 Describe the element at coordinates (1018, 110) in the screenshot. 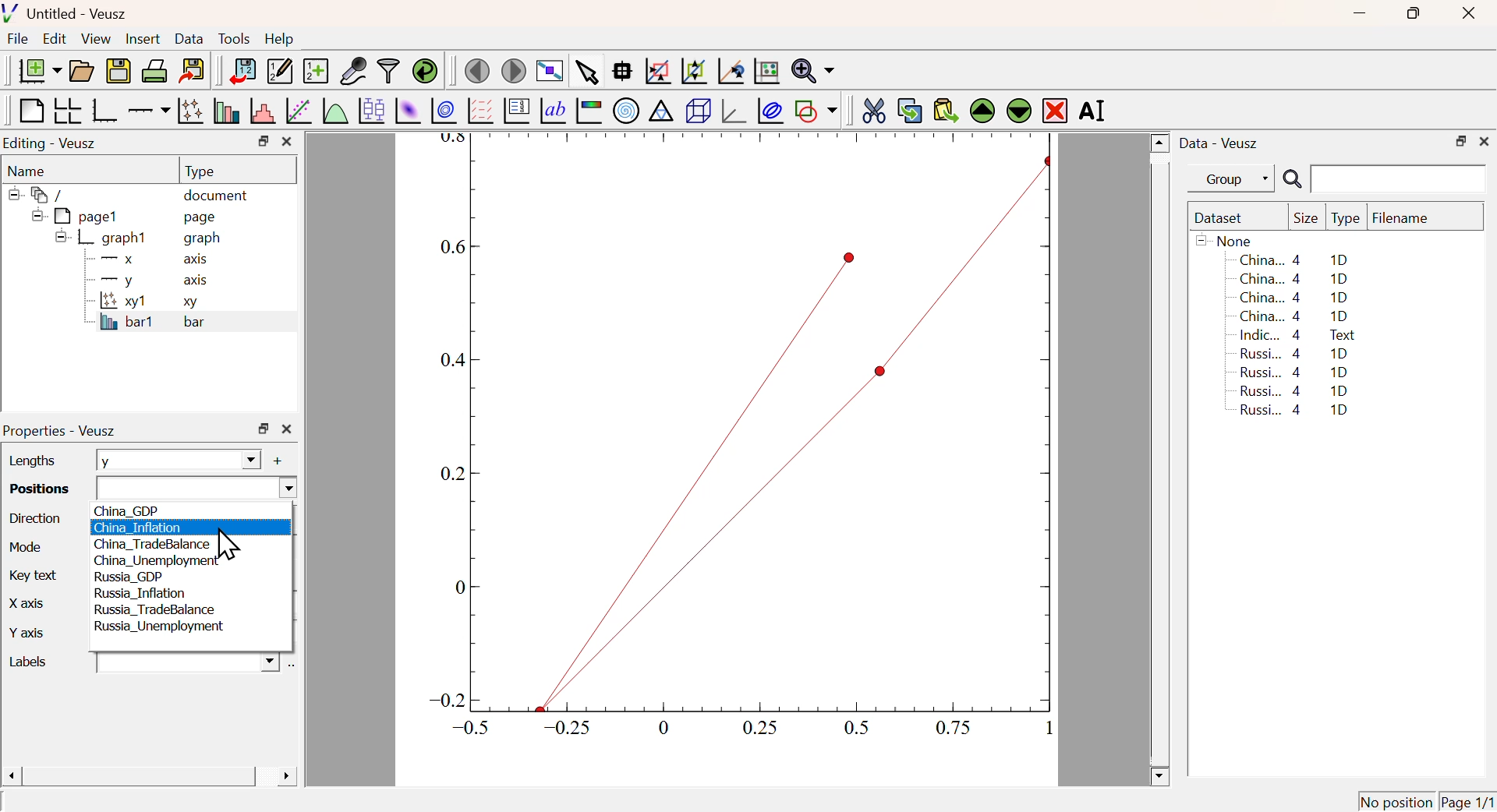

I see `Move Down` at that location.